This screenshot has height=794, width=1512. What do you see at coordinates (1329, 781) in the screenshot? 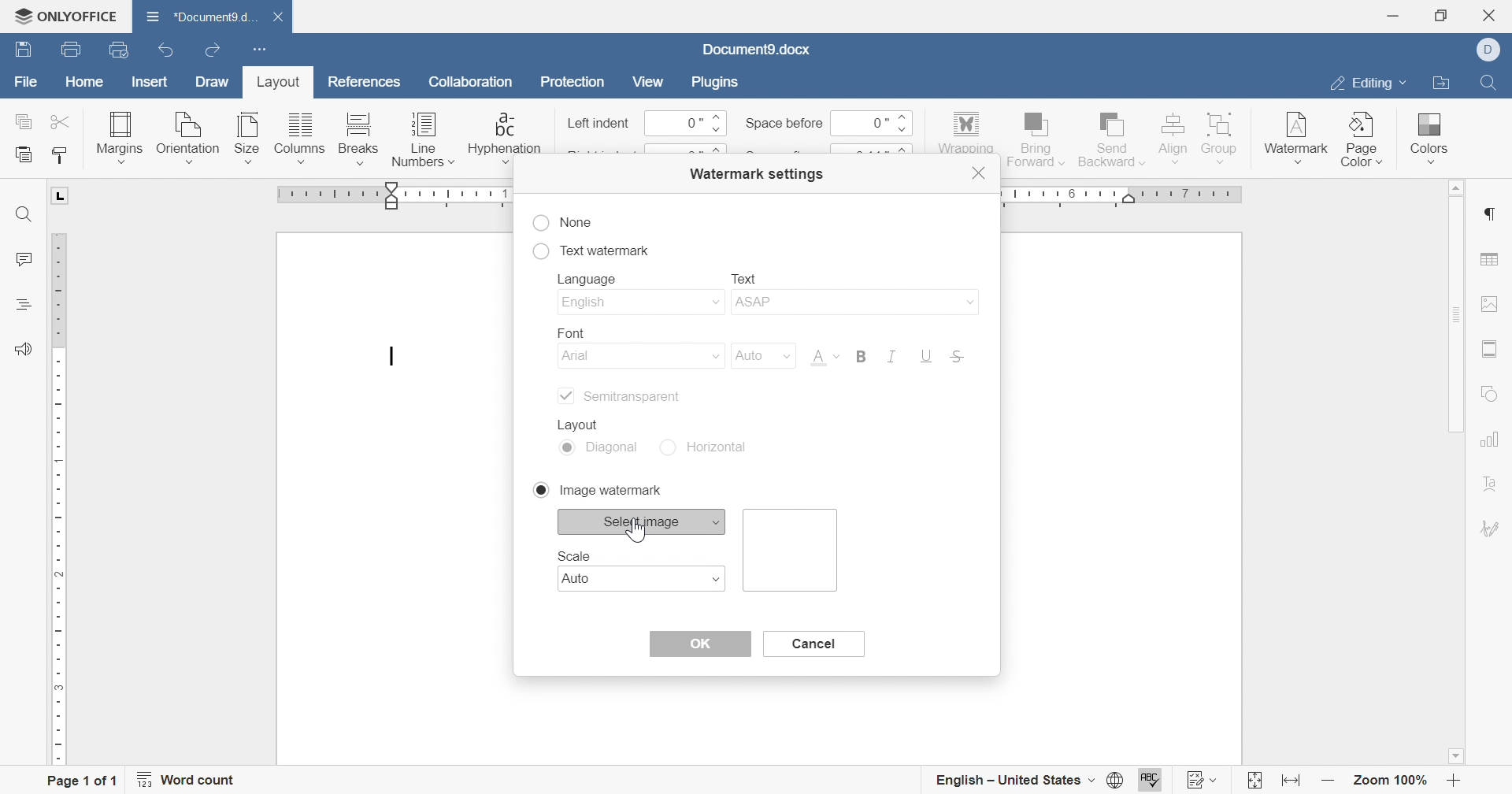
I see `zoom out` at bounding box center [1329, 781].